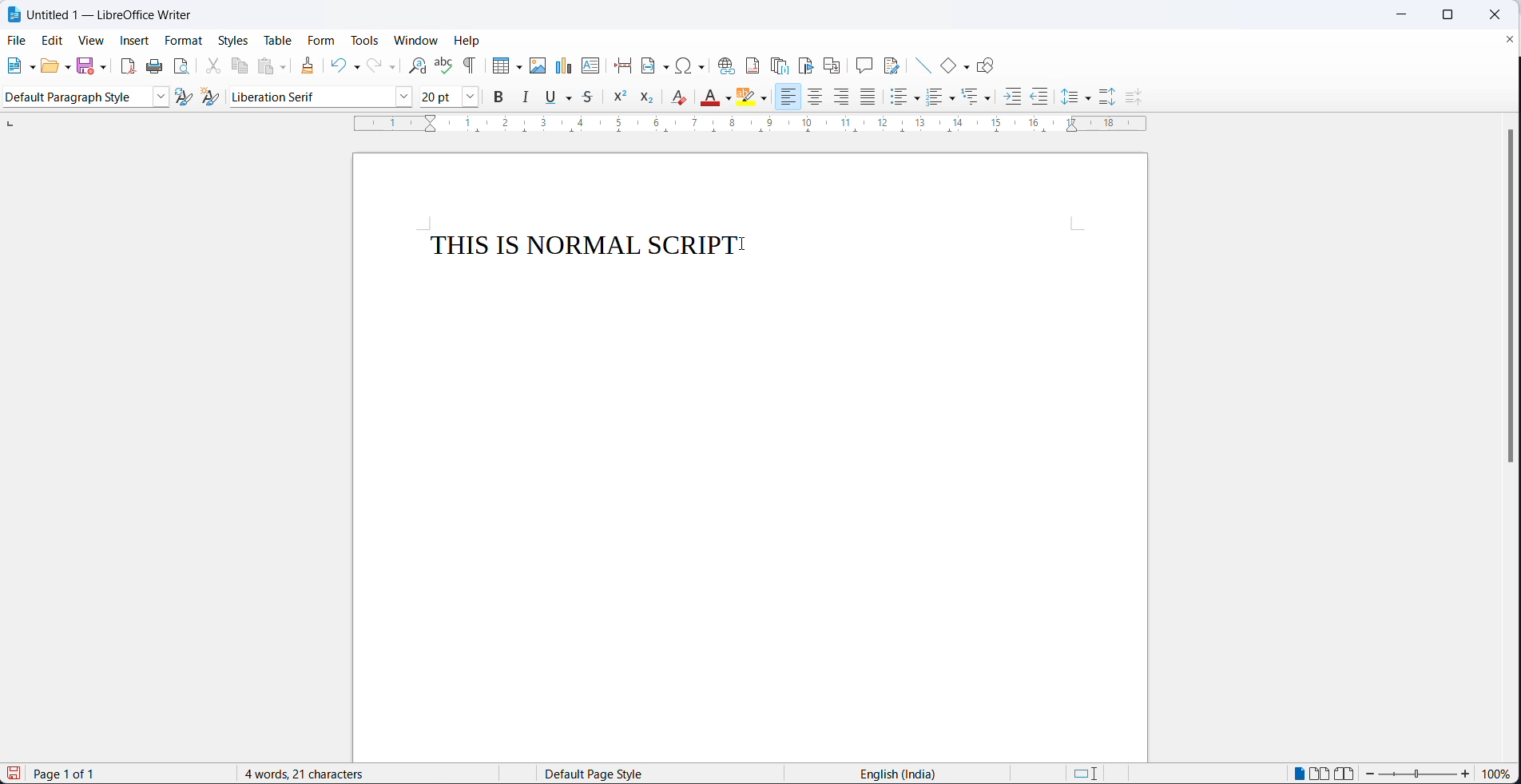 Image resolution: width=1521 pixels, height=784 pixels. Describe the element at coordinates (1464, 775) in the screenshot. I see `zoom decrease` at that location.